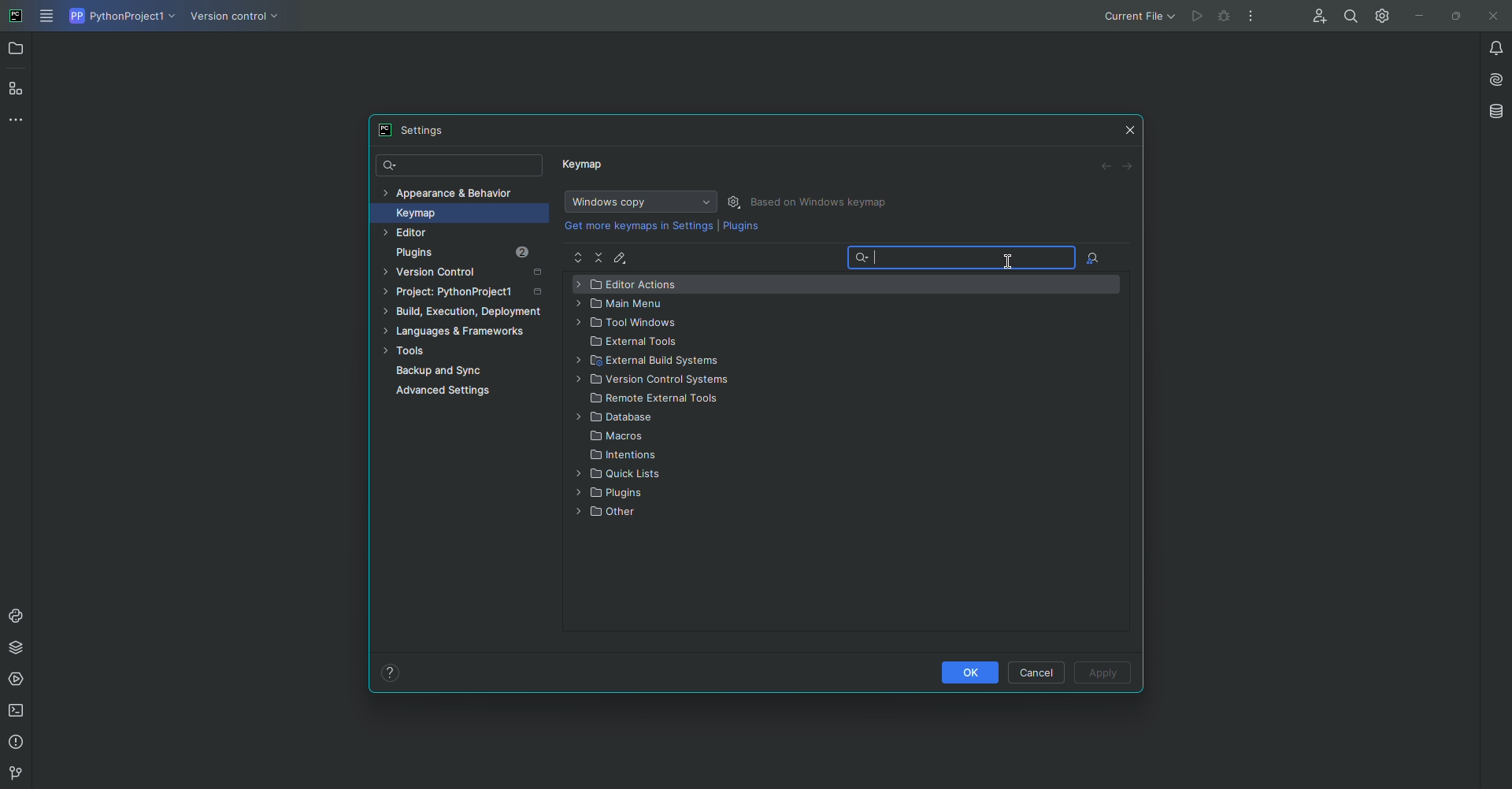 The image size is (1512, 789). I want to click on Windows Copy, so click(638, 202).